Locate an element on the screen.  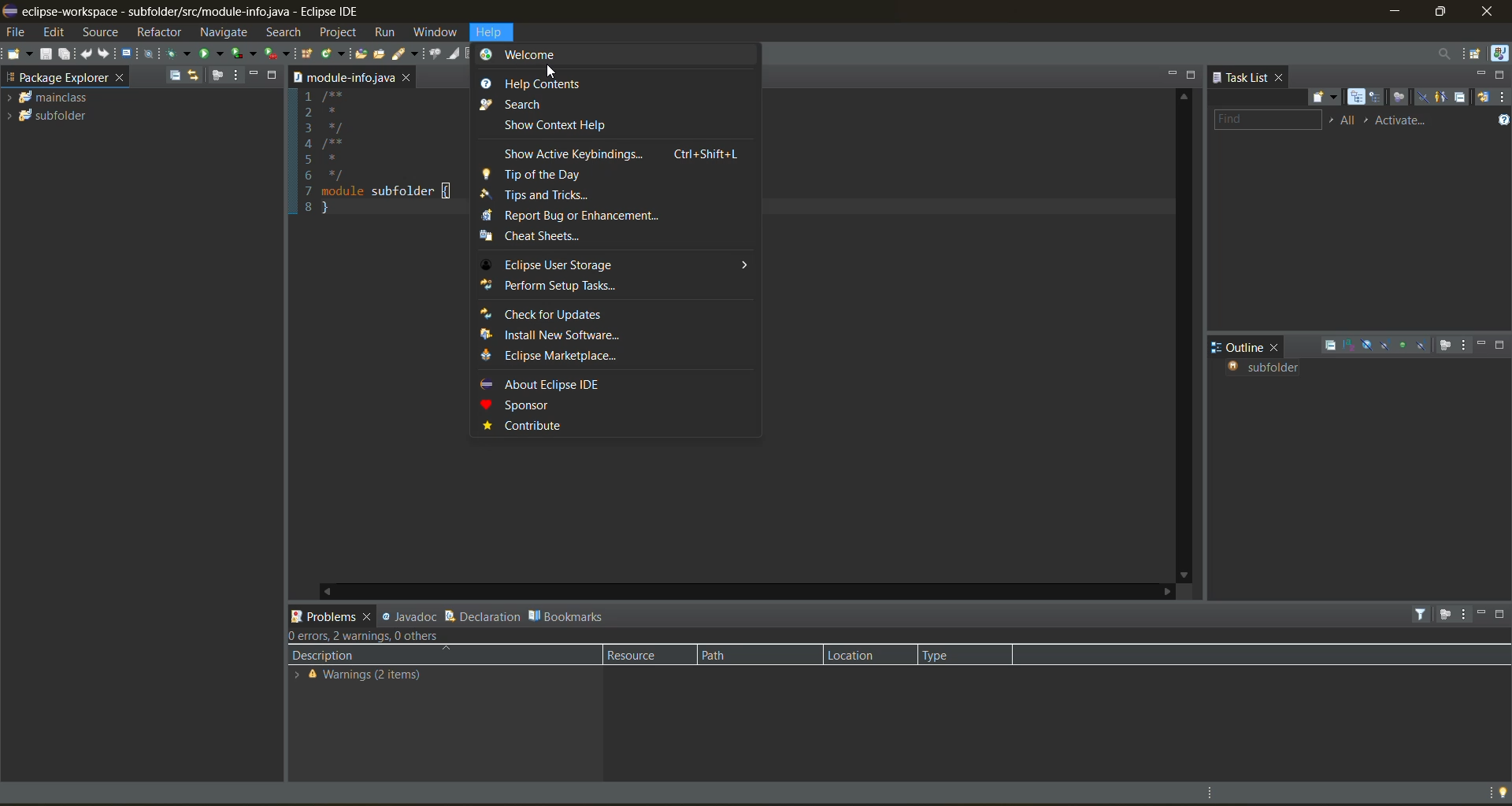
minimize is located at coordinates (1171, 74).